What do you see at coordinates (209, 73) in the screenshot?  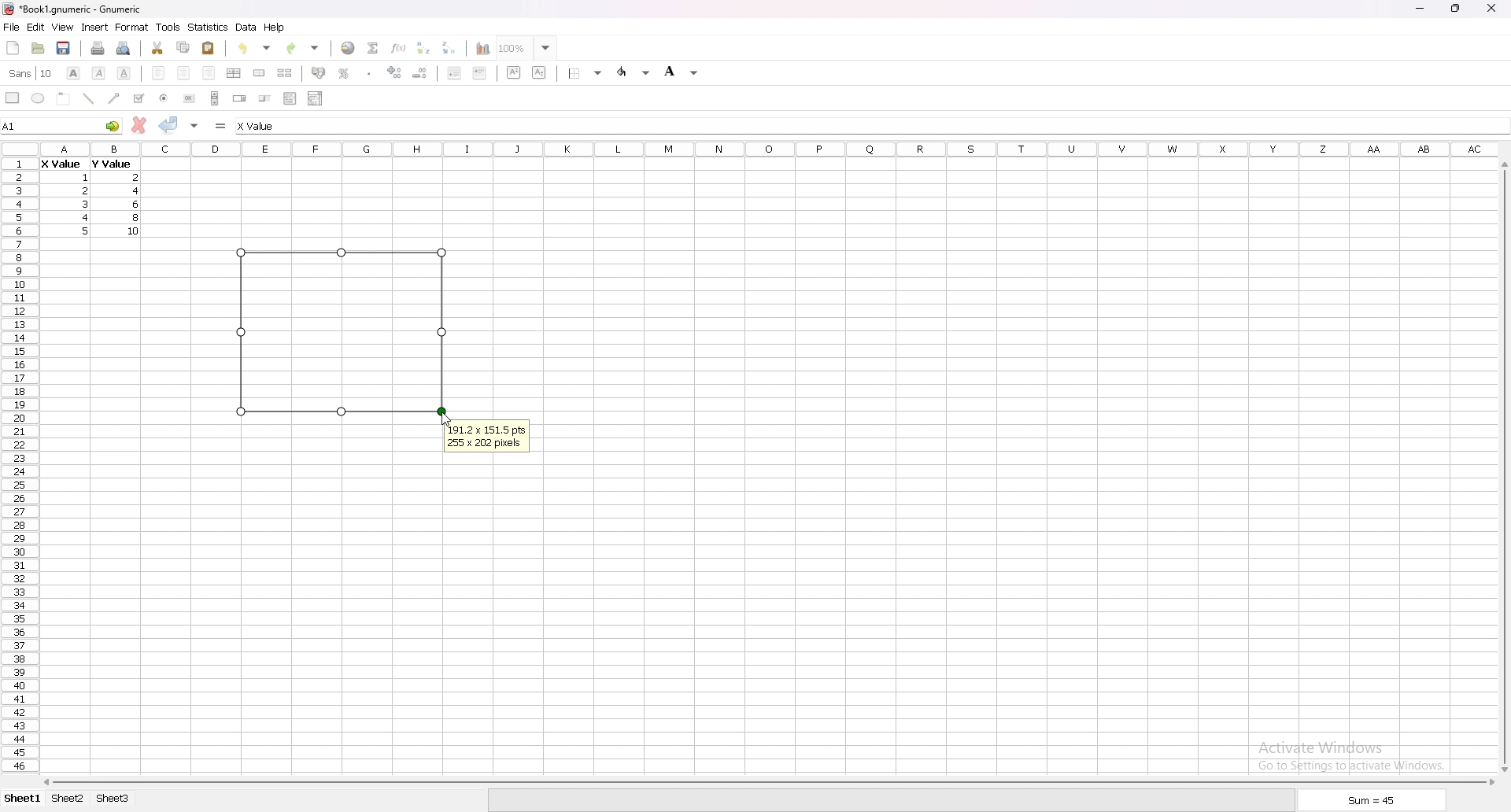 I see `right align` at bounding box center [209, 73].